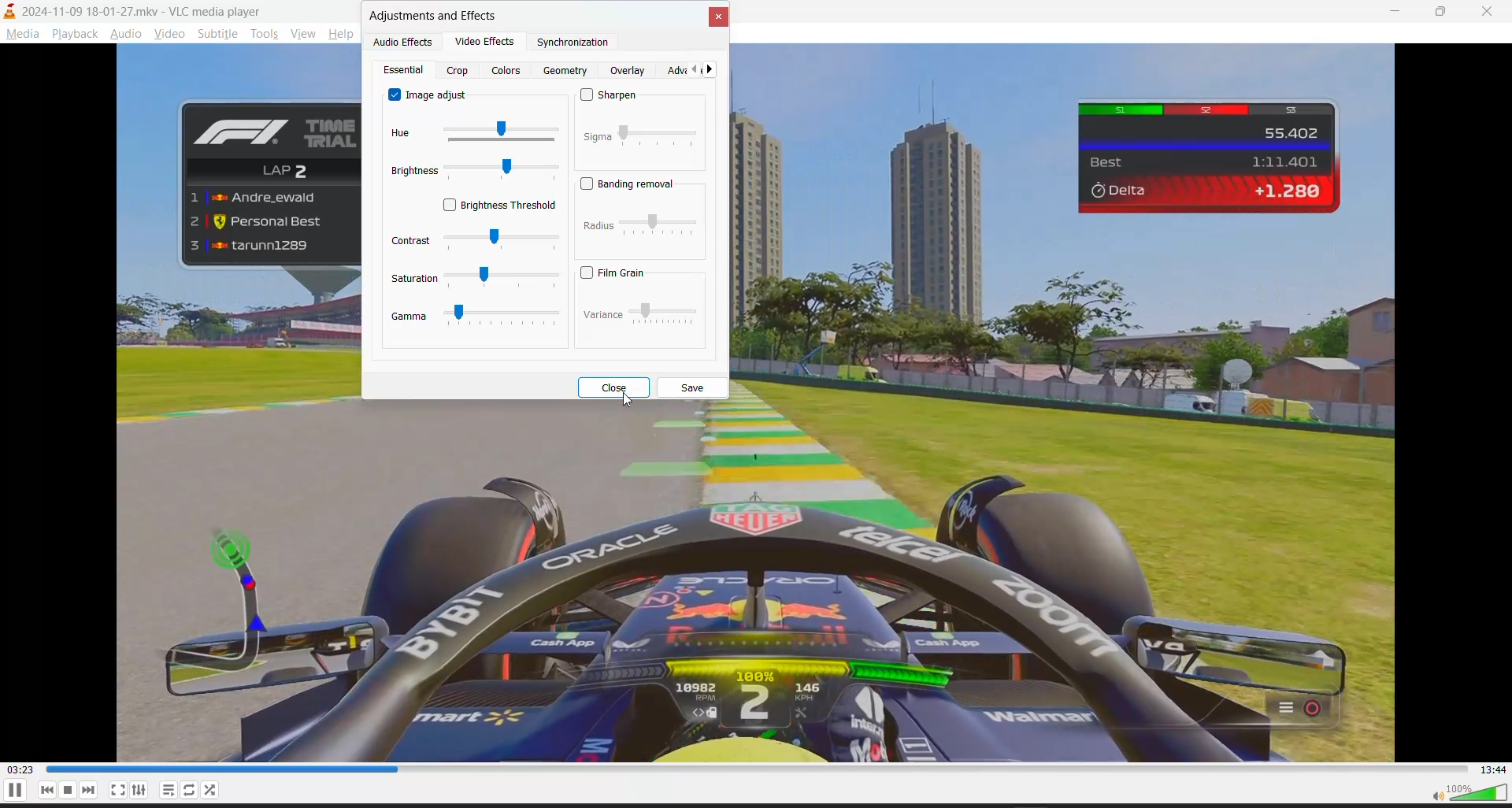 The height and width of the screenshot is (808, 1512). I want to click on close, so click(1490, 9).